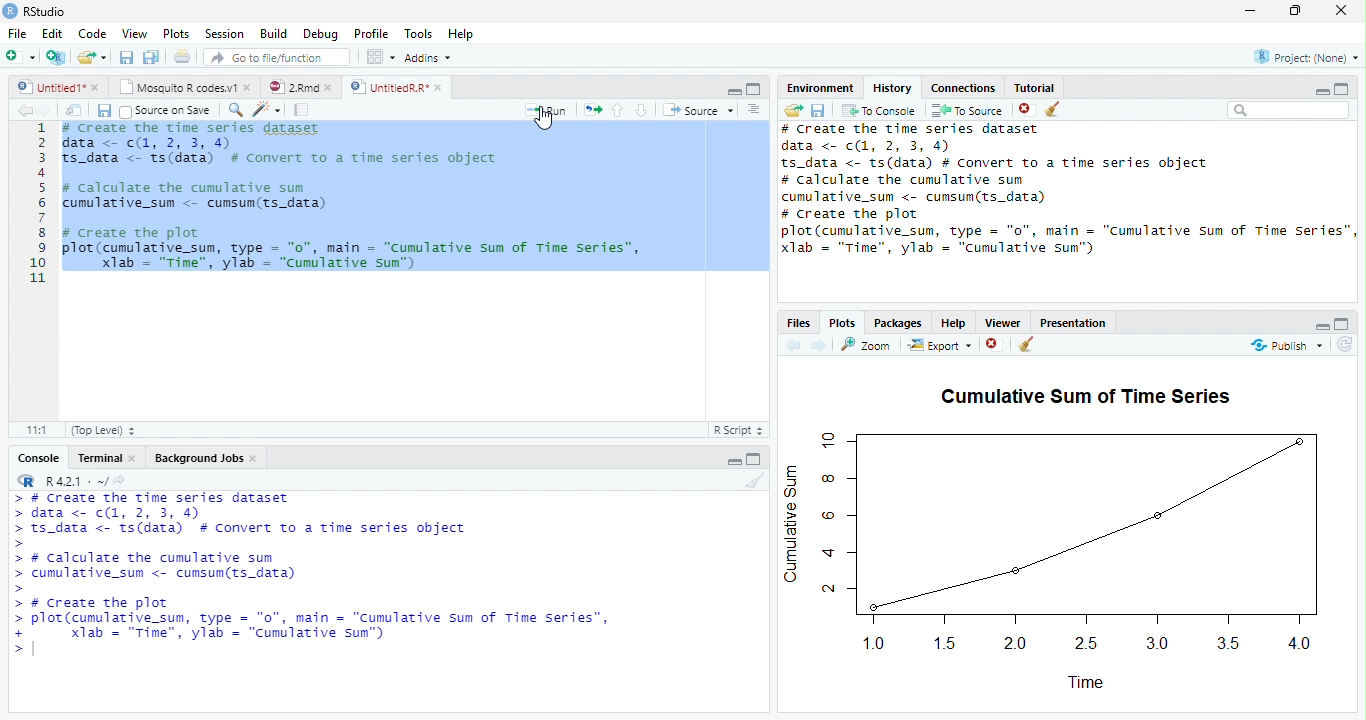  I want to click on Tutorial, so click(1036, 86).